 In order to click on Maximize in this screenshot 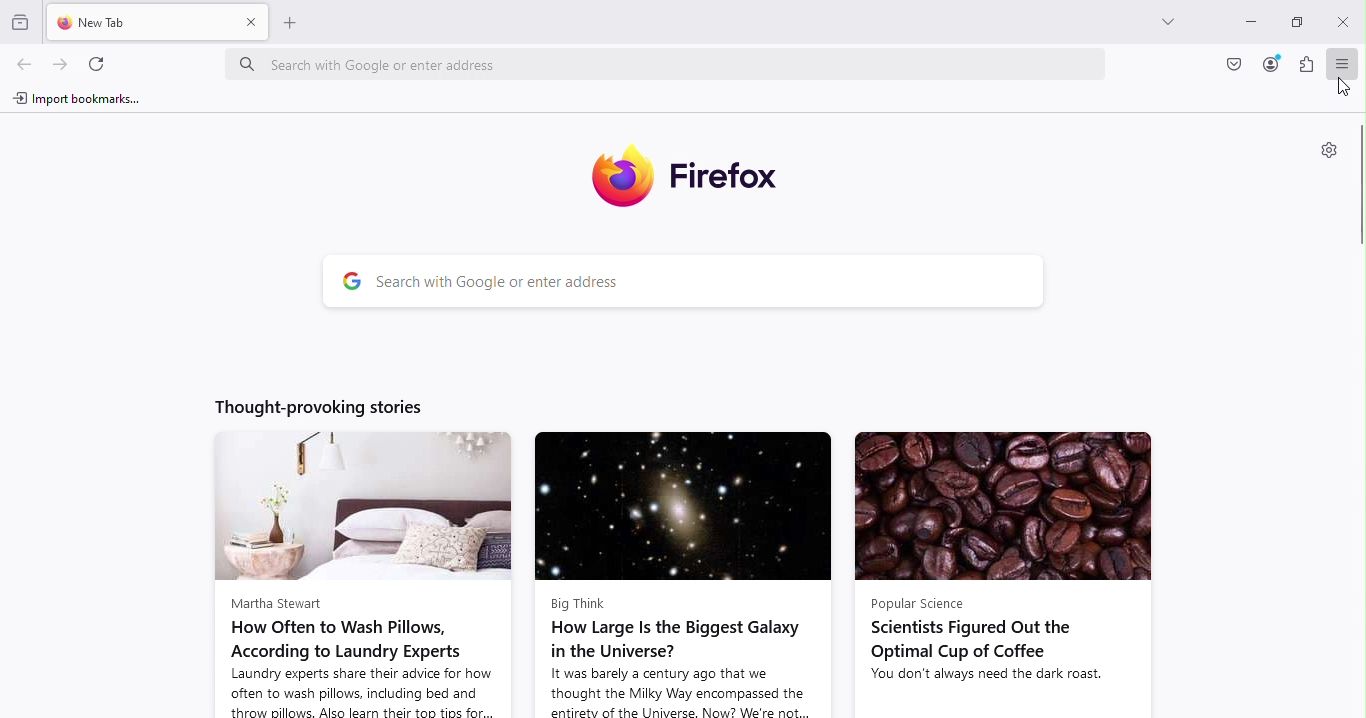, I will do `click(1297, 22)`.